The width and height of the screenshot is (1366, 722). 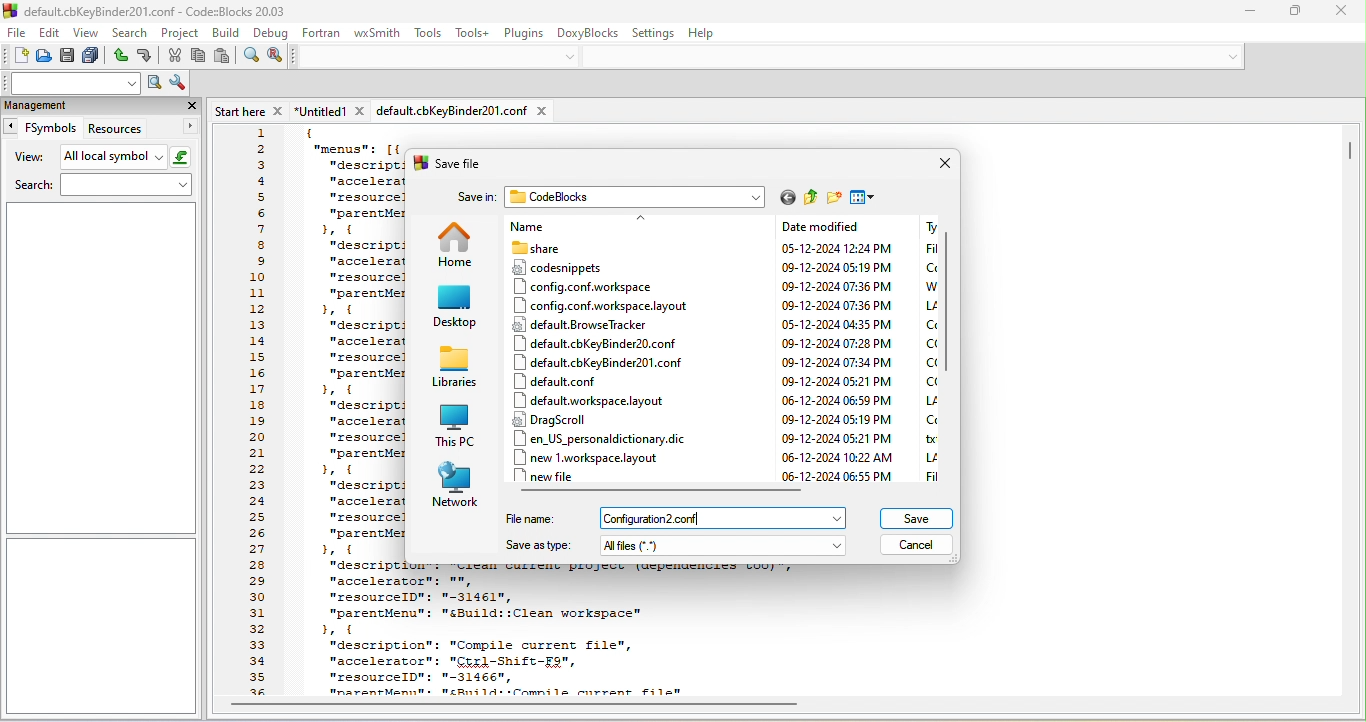 I want to click on redo, so click(x=148, y=56).